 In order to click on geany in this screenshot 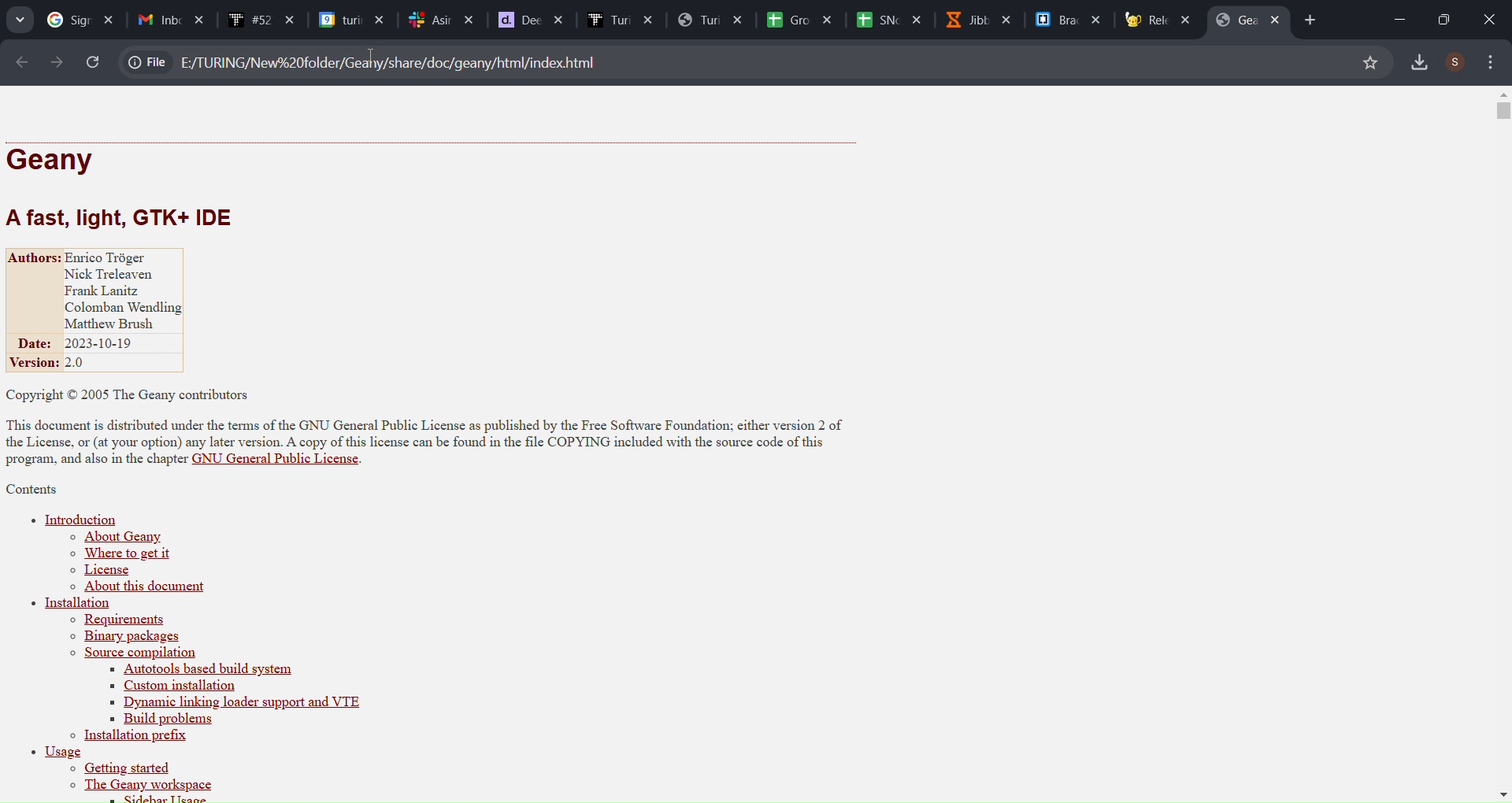, I will do `click(58, 160)`.